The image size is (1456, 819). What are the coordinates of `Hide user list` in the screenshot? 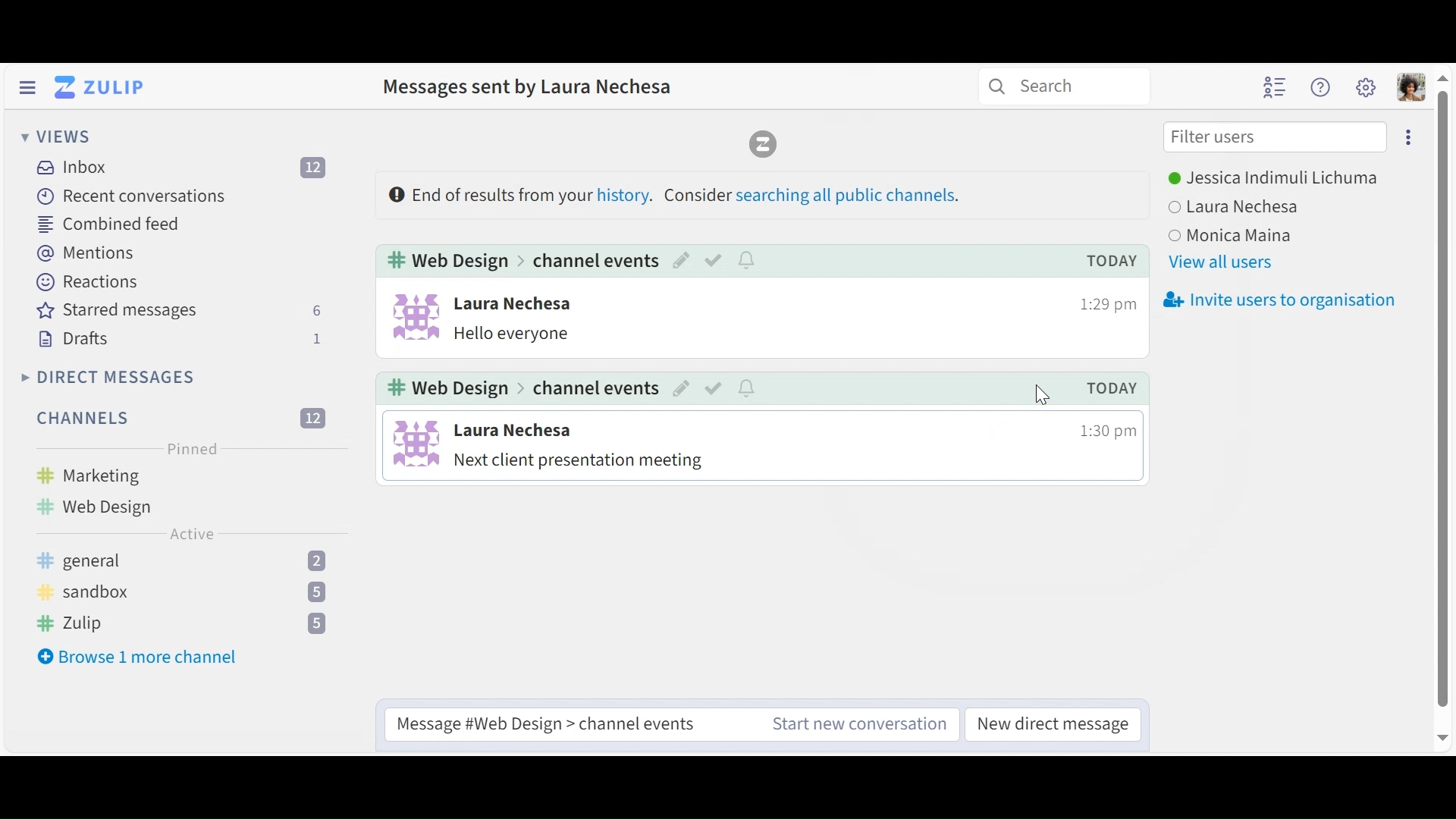 It's located at (1272, 86).